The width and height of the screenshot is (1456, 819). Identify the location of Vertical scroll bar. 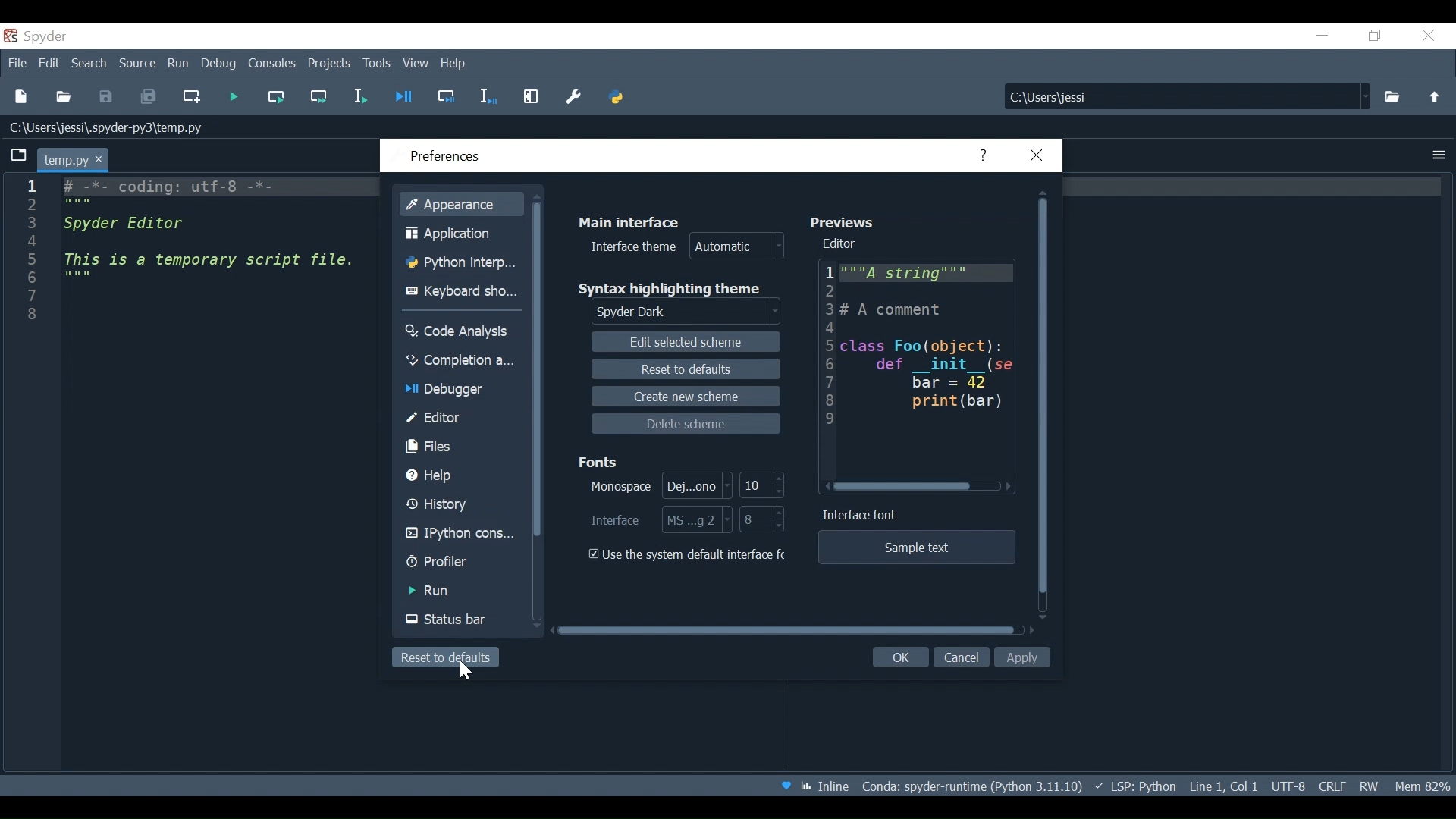
(542, 369).